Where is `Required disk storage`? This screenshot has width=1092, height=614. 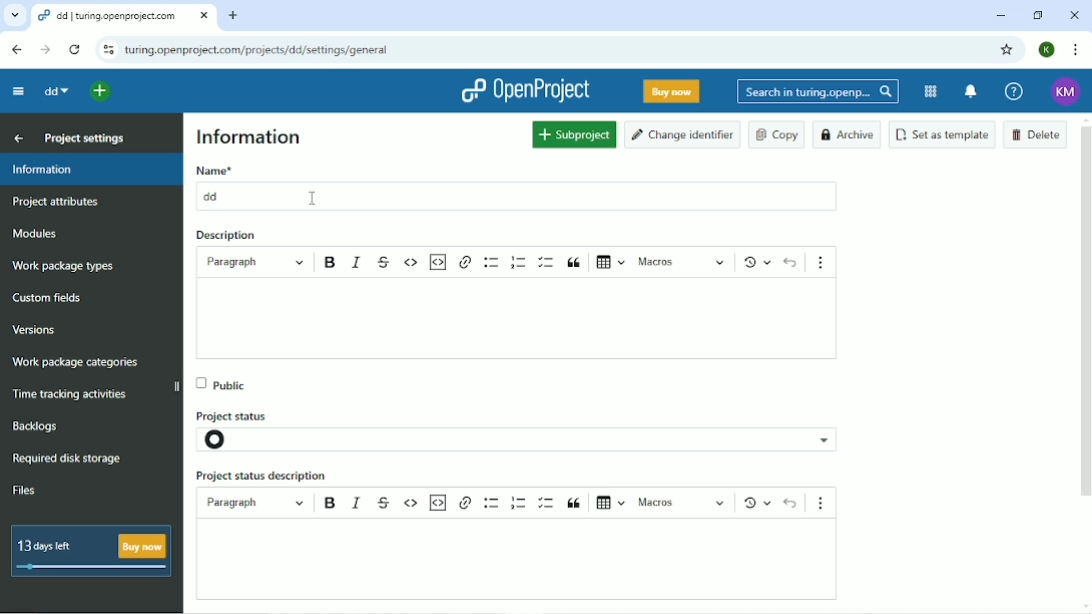
Required disk storage is located at coordinates (67, 460).